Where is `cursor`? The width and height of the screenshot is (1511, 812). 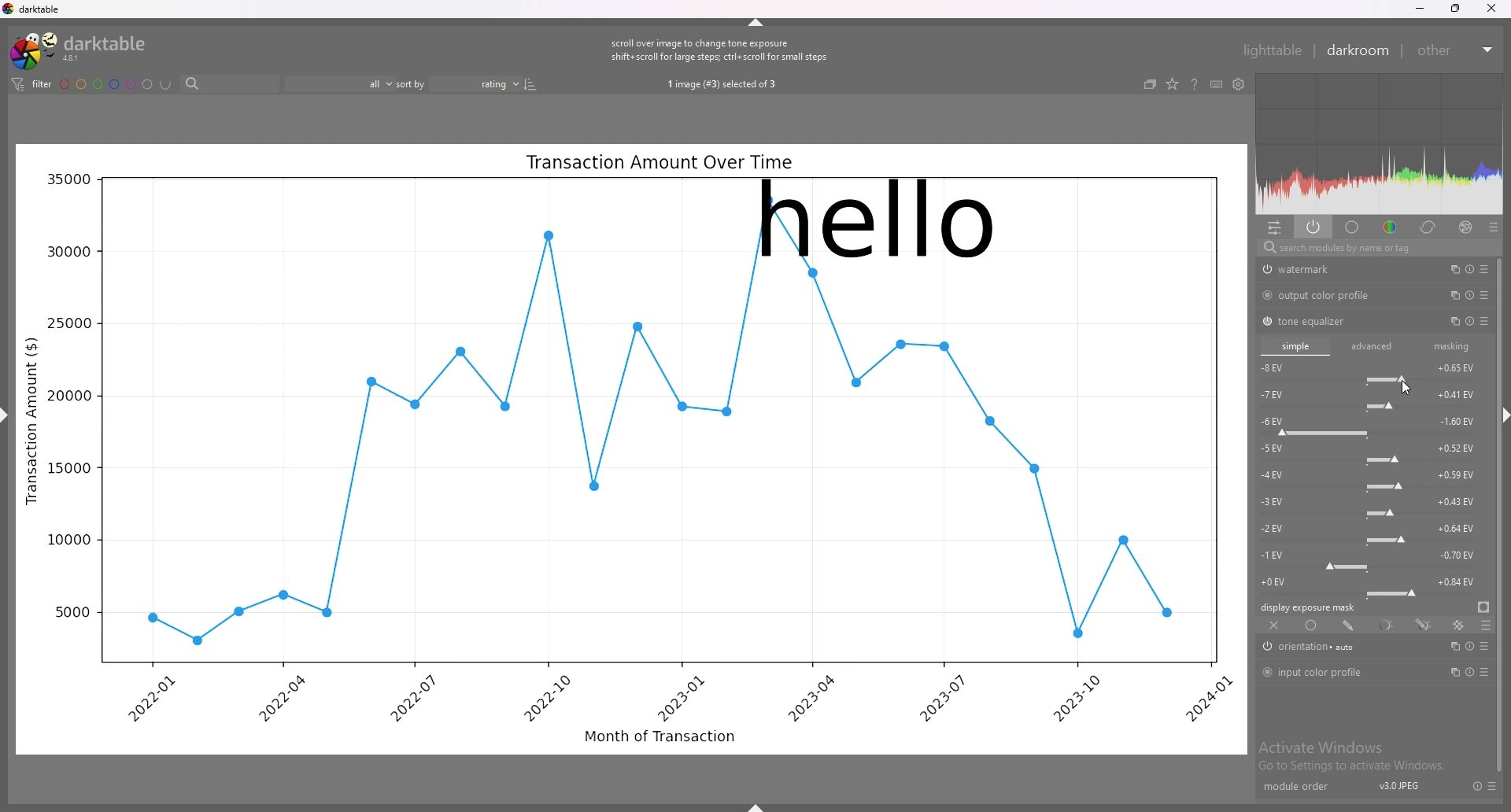
cursor is located at coordinates (1405, 388).